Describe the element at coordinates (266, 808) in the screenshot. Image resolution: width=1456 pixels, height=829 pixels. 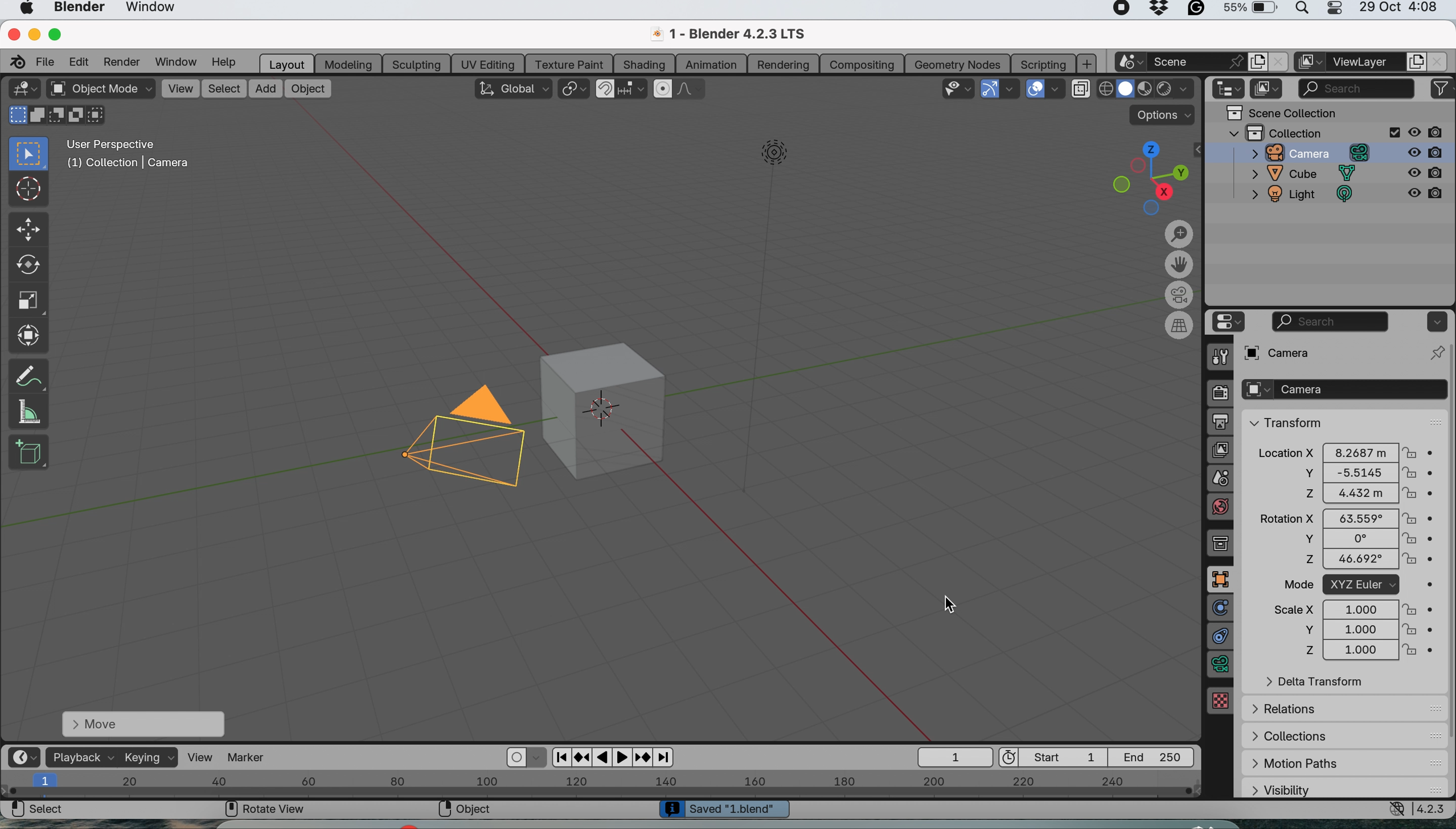
I see `rotate view` at that location.